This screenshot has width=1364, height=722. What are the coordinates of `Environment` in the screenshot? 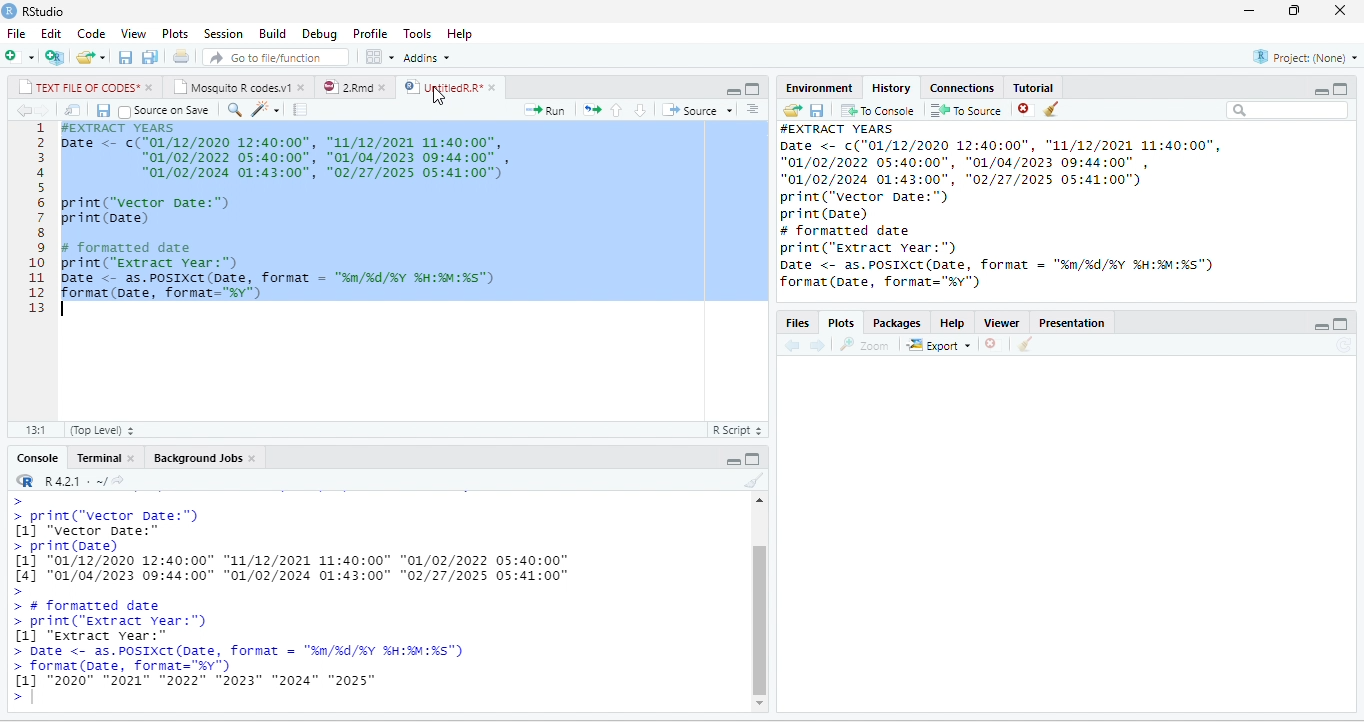 It's located at (820, 88).